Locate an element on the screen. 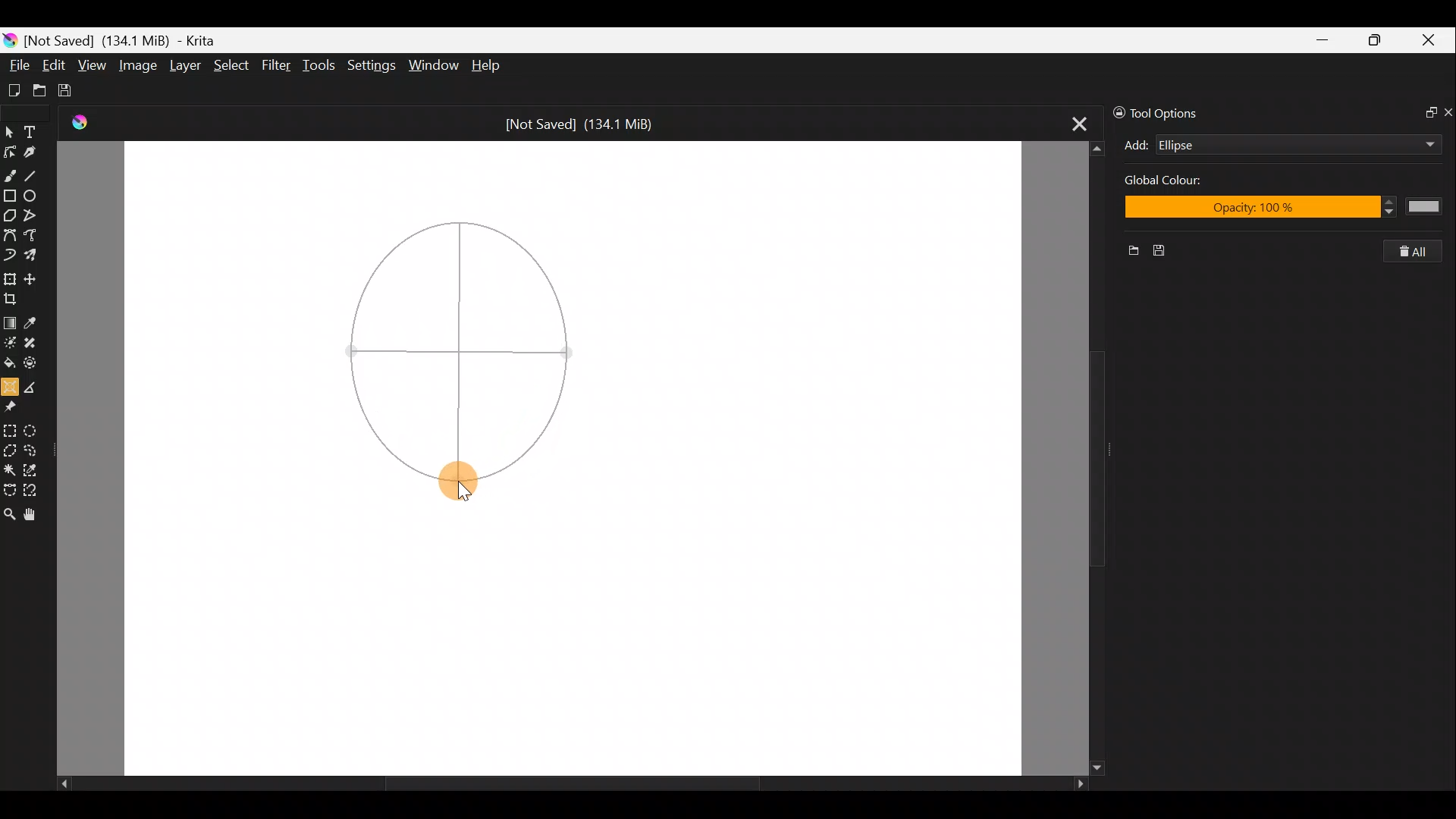 The image size is (1456, 819). Colorize mask tool is located at coordinates (10, 343).